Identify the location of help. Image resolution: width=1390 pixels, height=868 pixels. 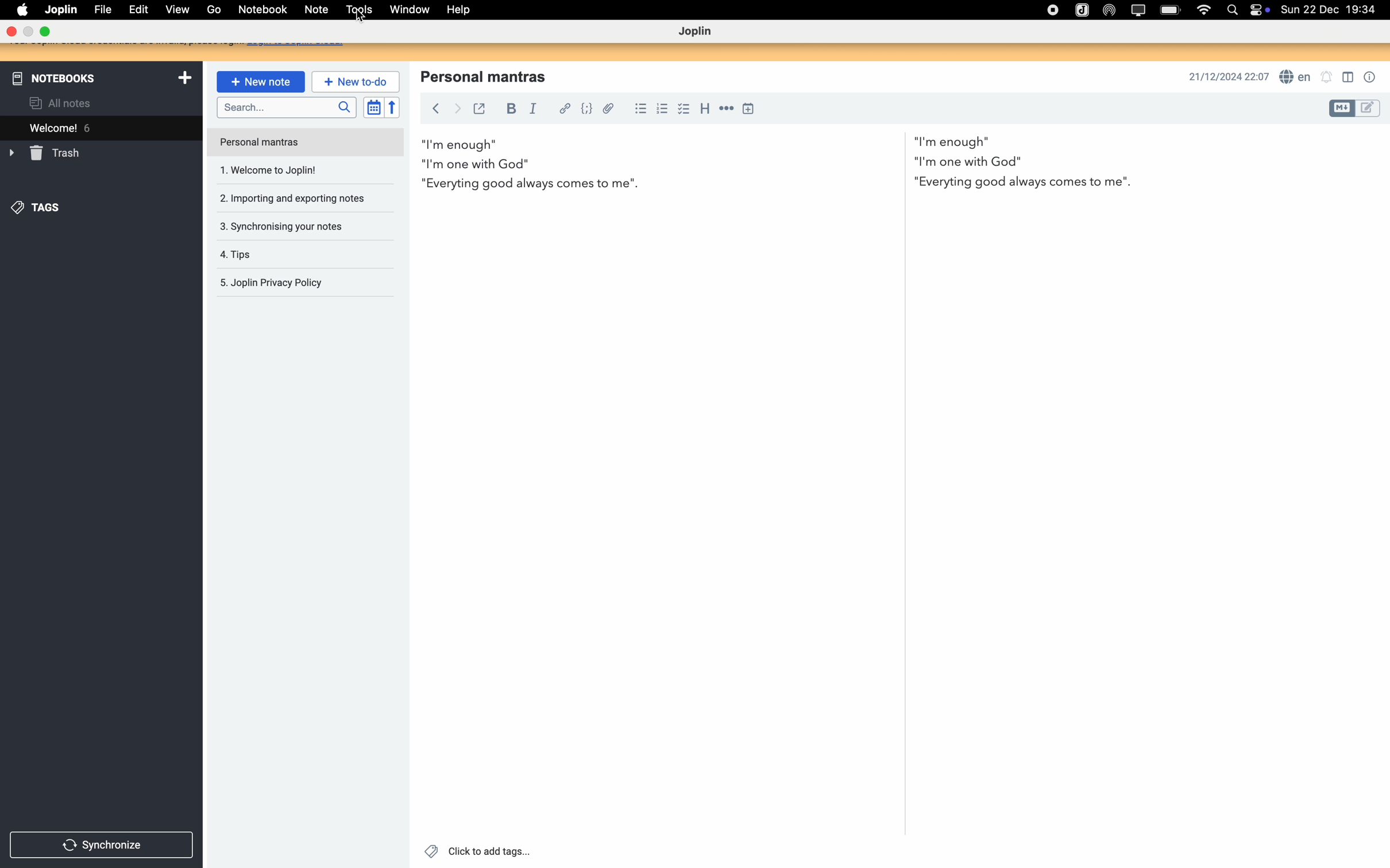
(464, 11).